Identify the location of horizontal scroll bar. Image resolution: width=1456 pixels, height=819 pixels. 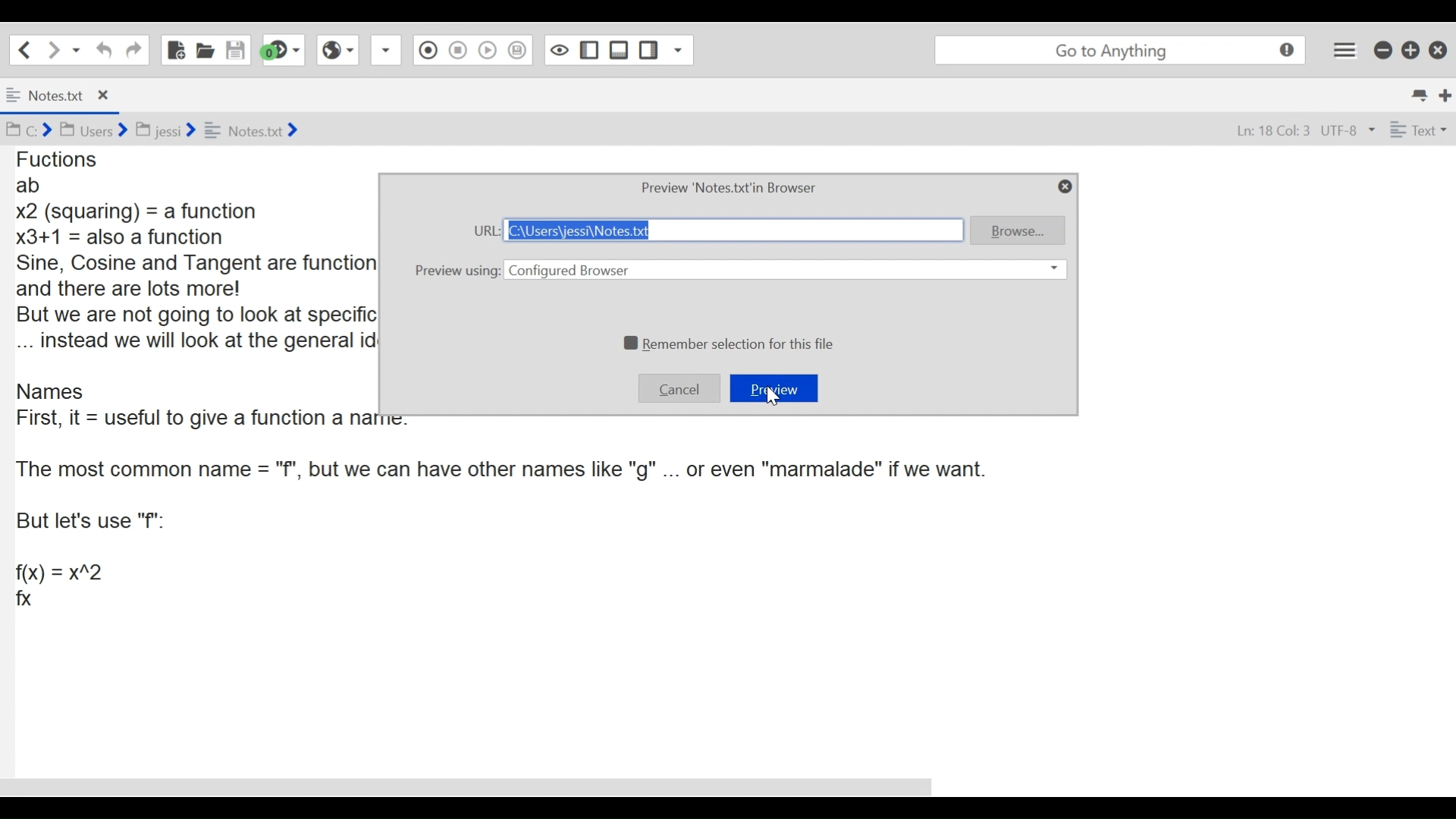
(475, 787).